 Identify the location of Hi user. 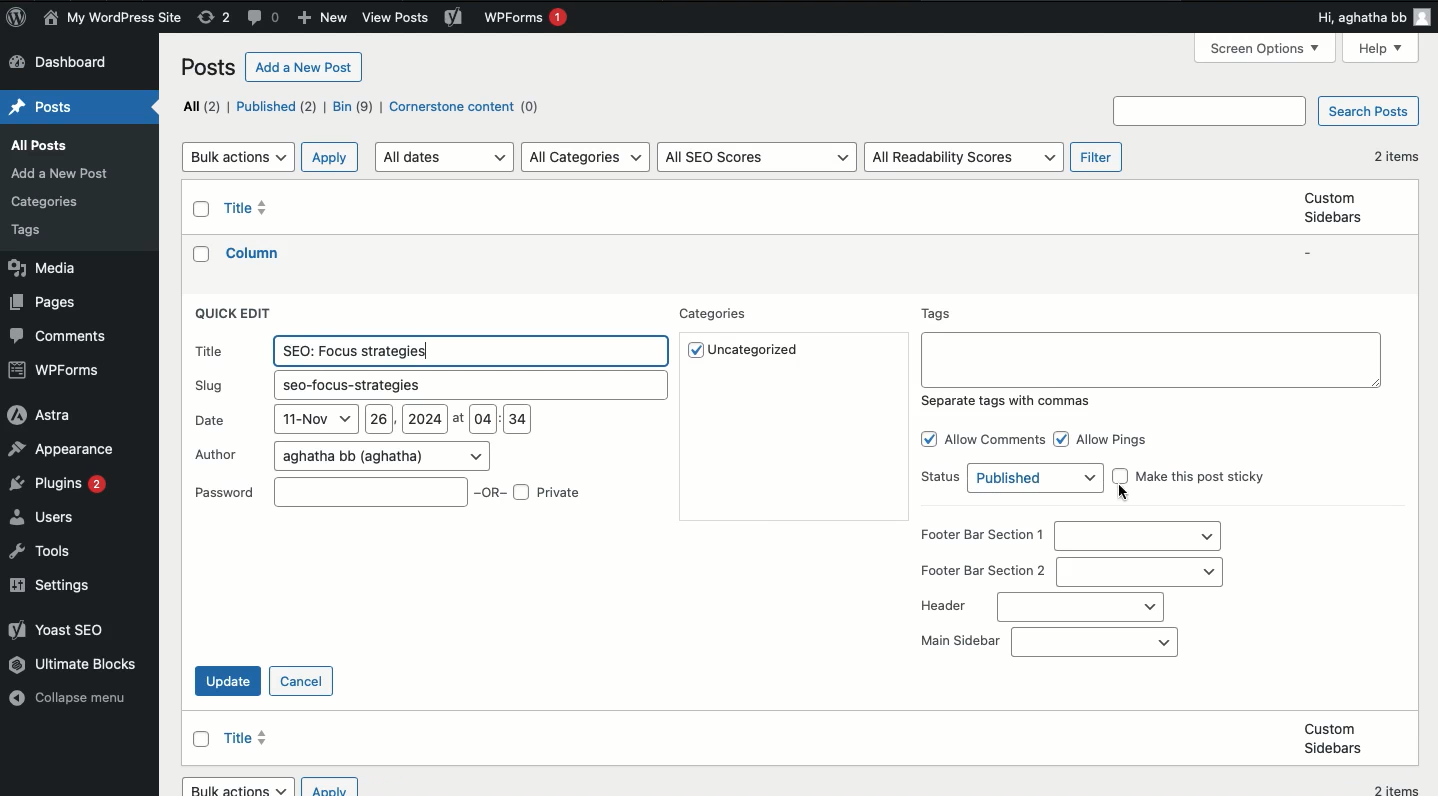
(1370, 17).